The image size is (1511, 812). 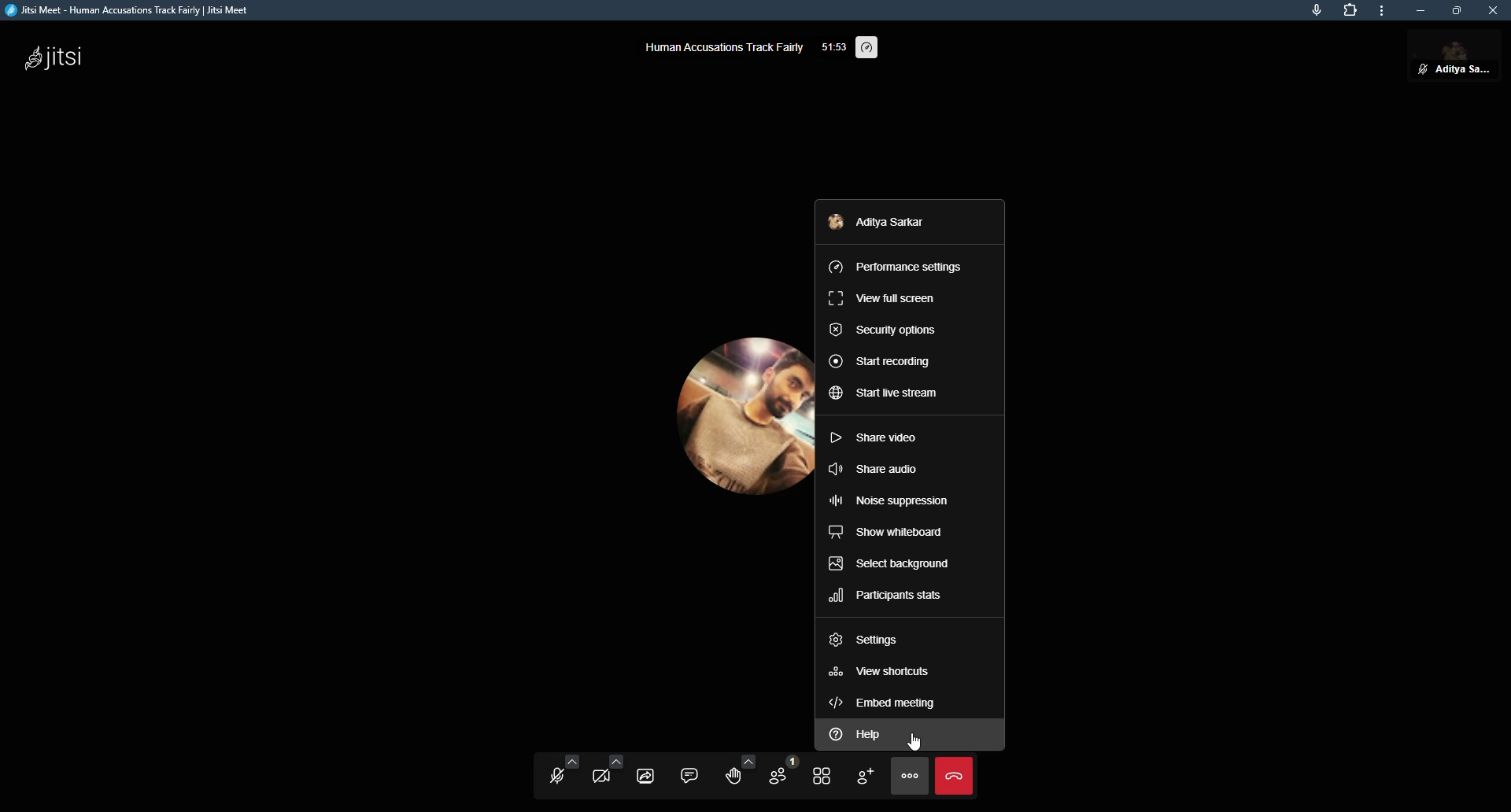 I want to click on share audio, so click(x=883, y=471).